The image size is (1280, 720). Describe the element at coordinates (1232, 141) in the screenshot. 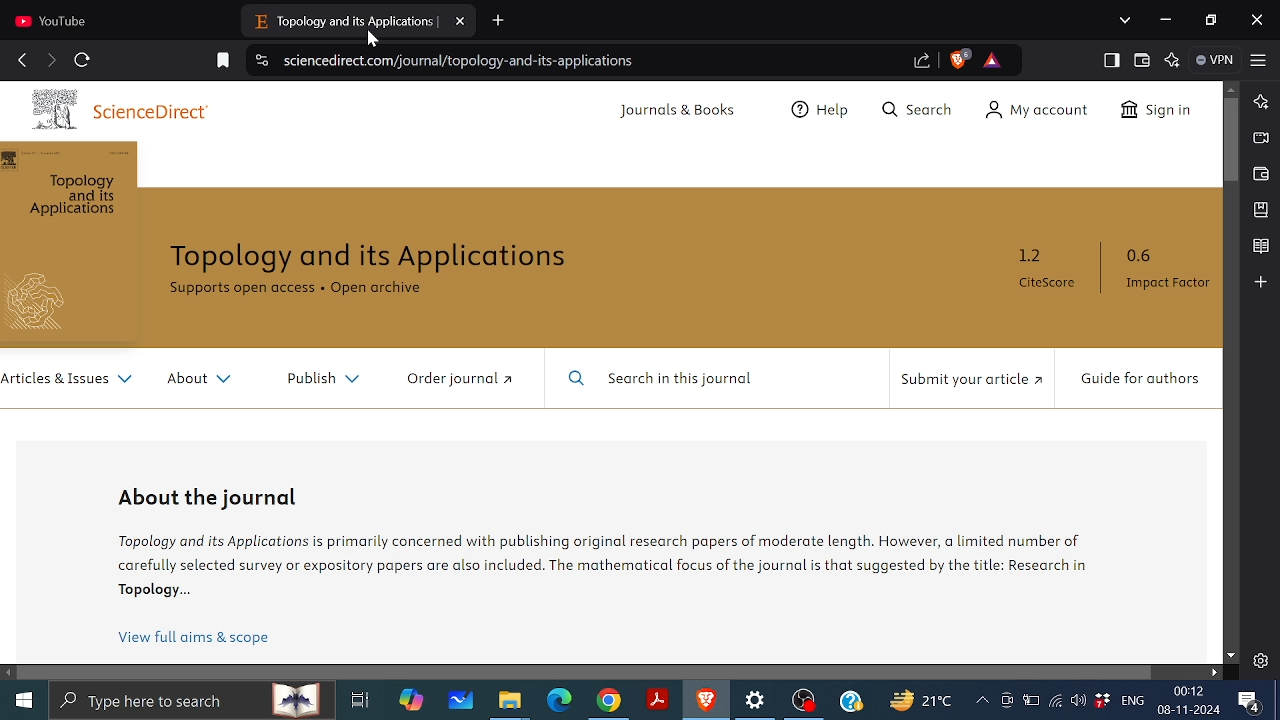

I see `Vertical scroll bar` at that location.